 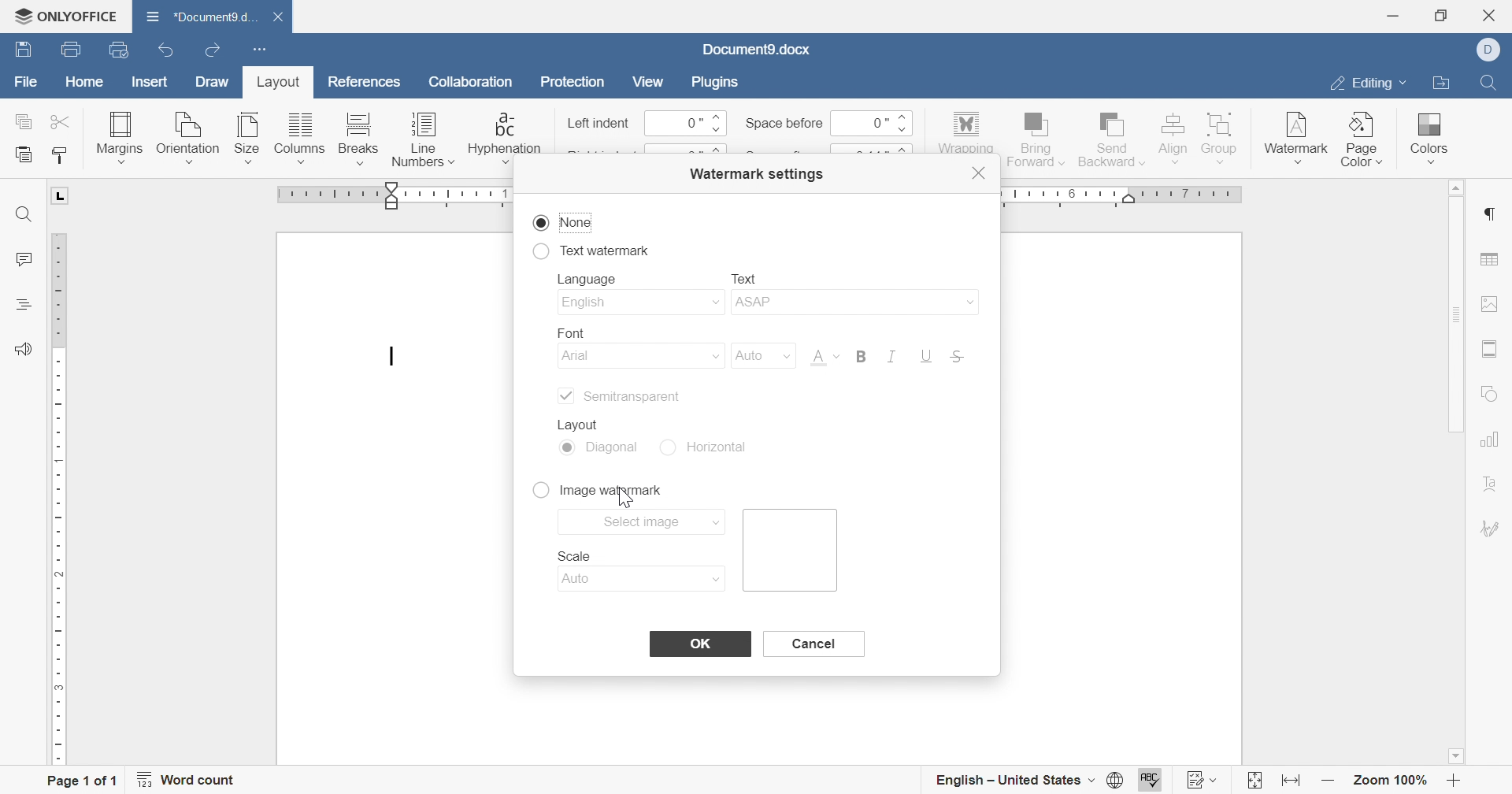 I want to click on align, so click(x=1172, y=136).